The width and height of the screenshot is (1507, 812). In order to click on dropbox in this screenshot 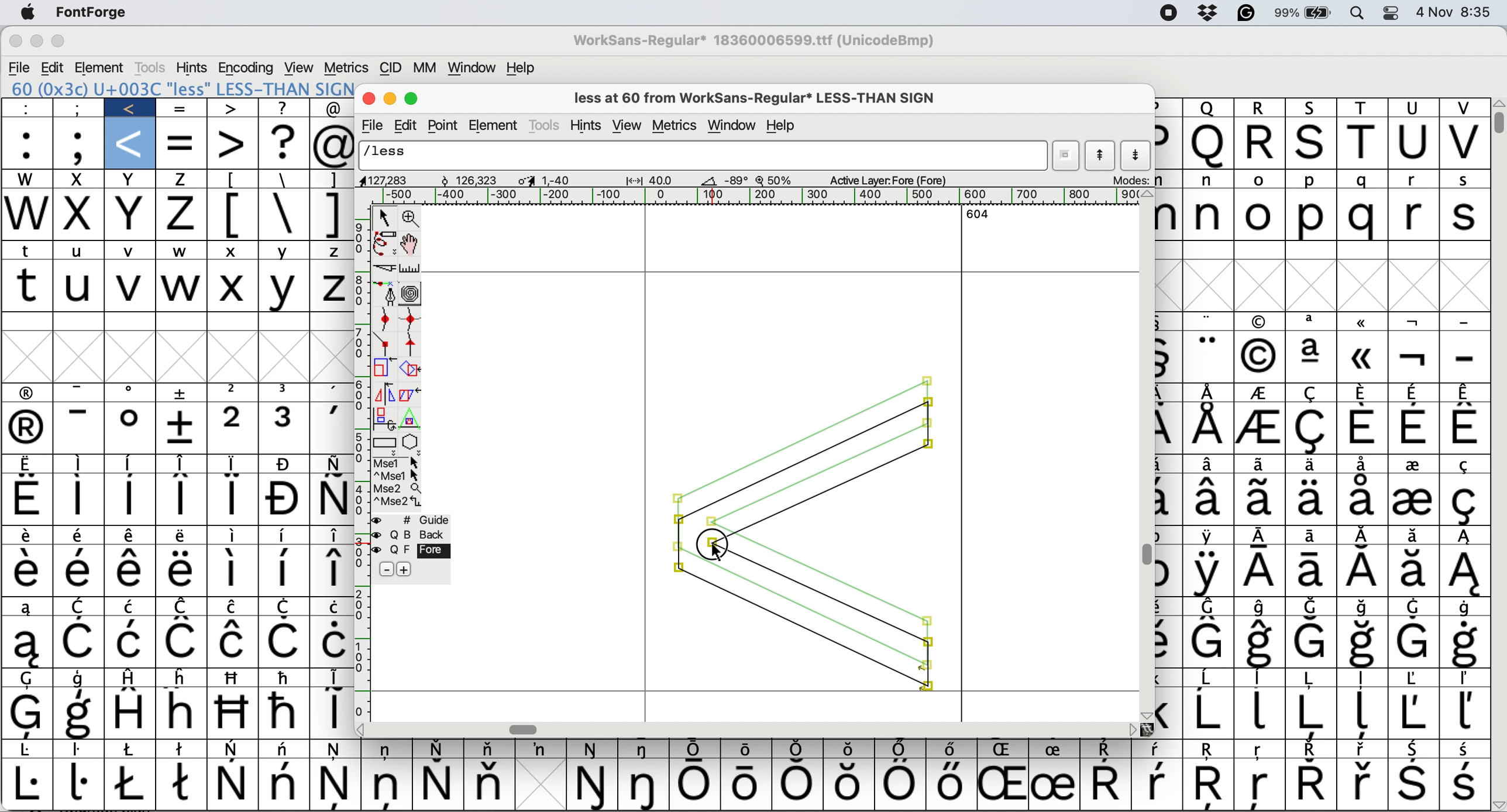, I will do `click(1209, 13)`.